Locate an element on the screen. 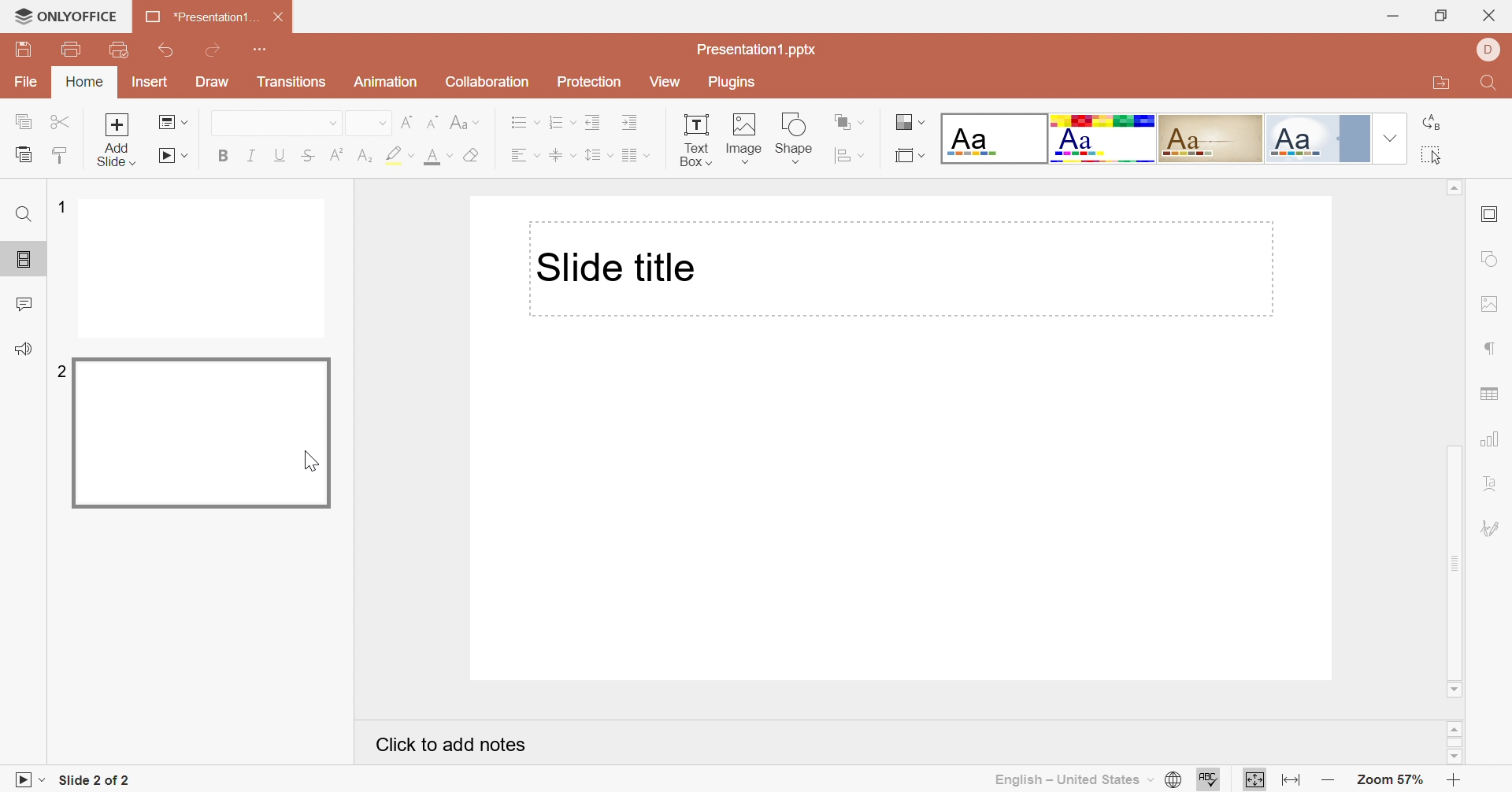 The width and height of the screenshot is (1512, 792). Set document language is located at coordinates (1173, 778).